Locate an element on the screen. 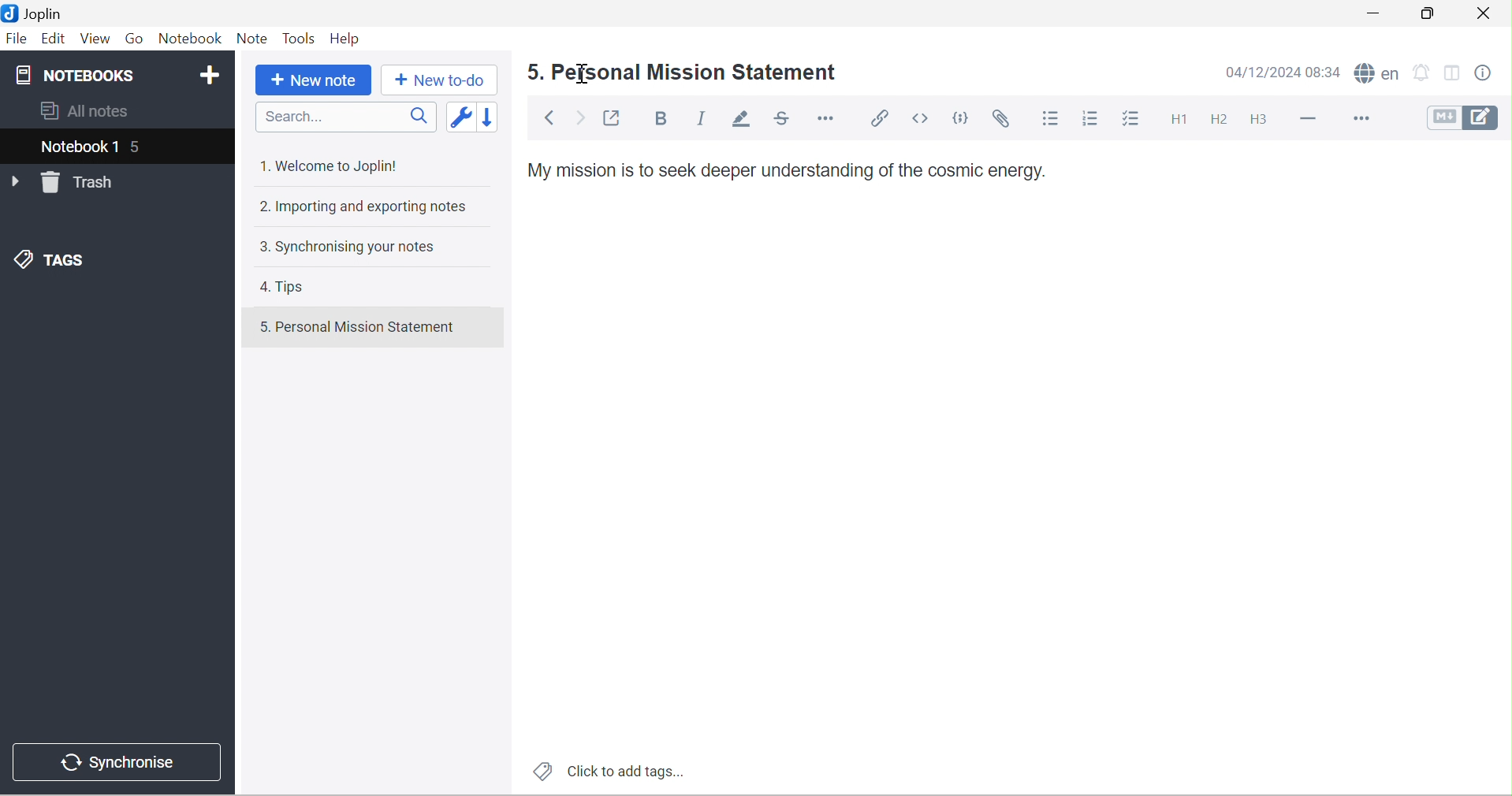 The height and width of the screenshot is (796, 1512). Go is located at coordinates (139, 39).